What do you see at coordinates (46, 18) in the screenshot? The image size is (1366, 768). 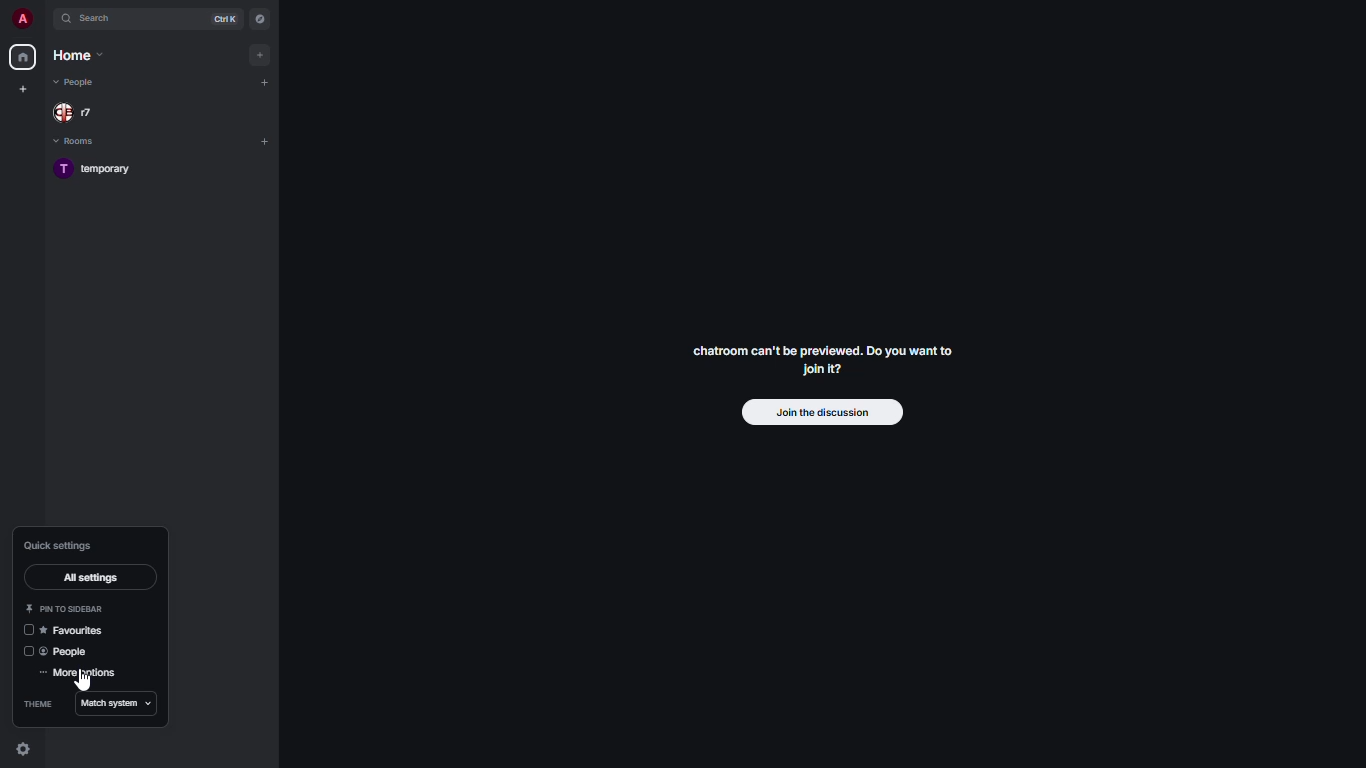 I see `expand` at bounding box center [46, 18].